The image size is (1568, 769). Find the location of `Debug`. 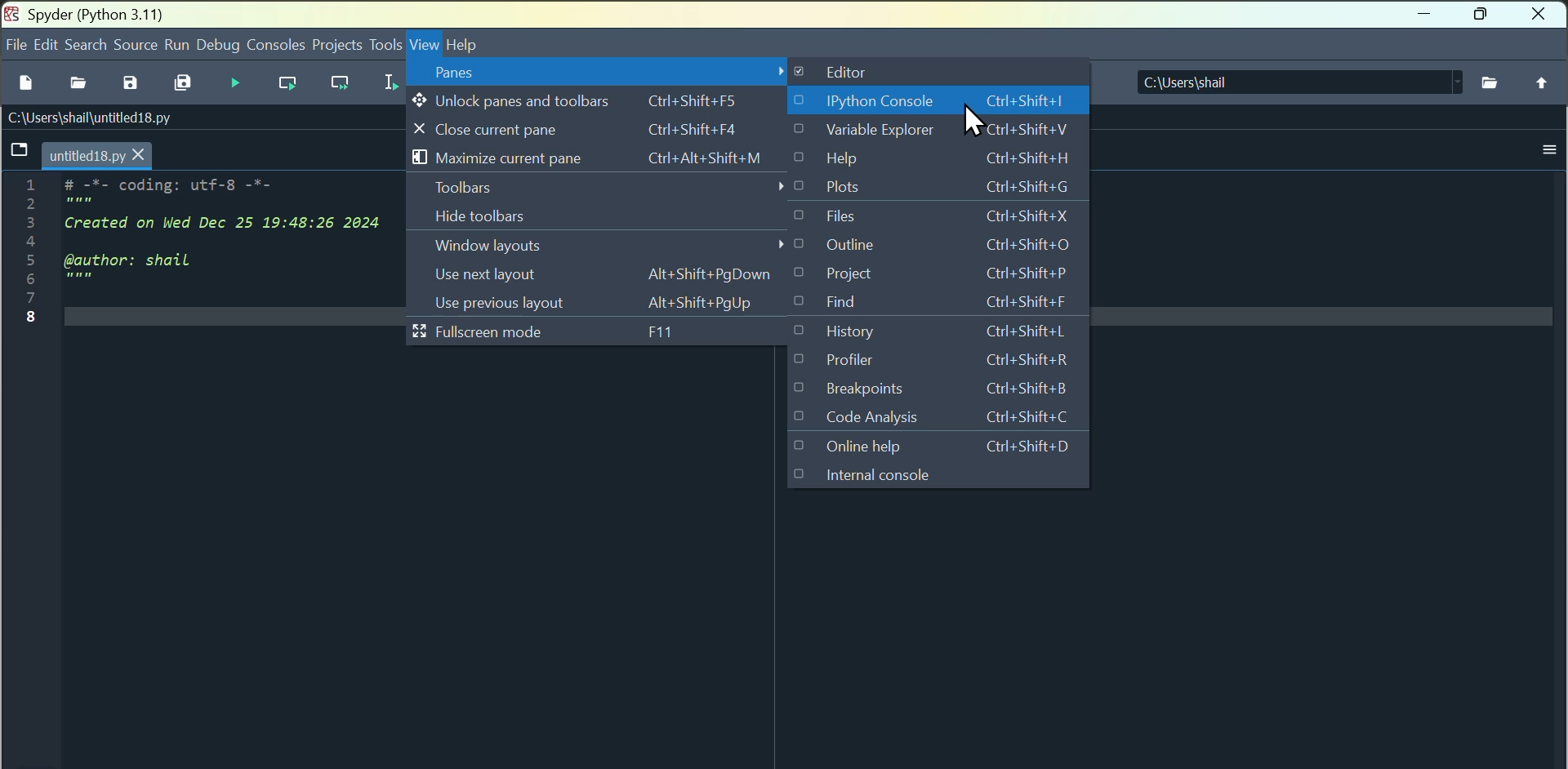

Debug is located at coordinates (220, 45).